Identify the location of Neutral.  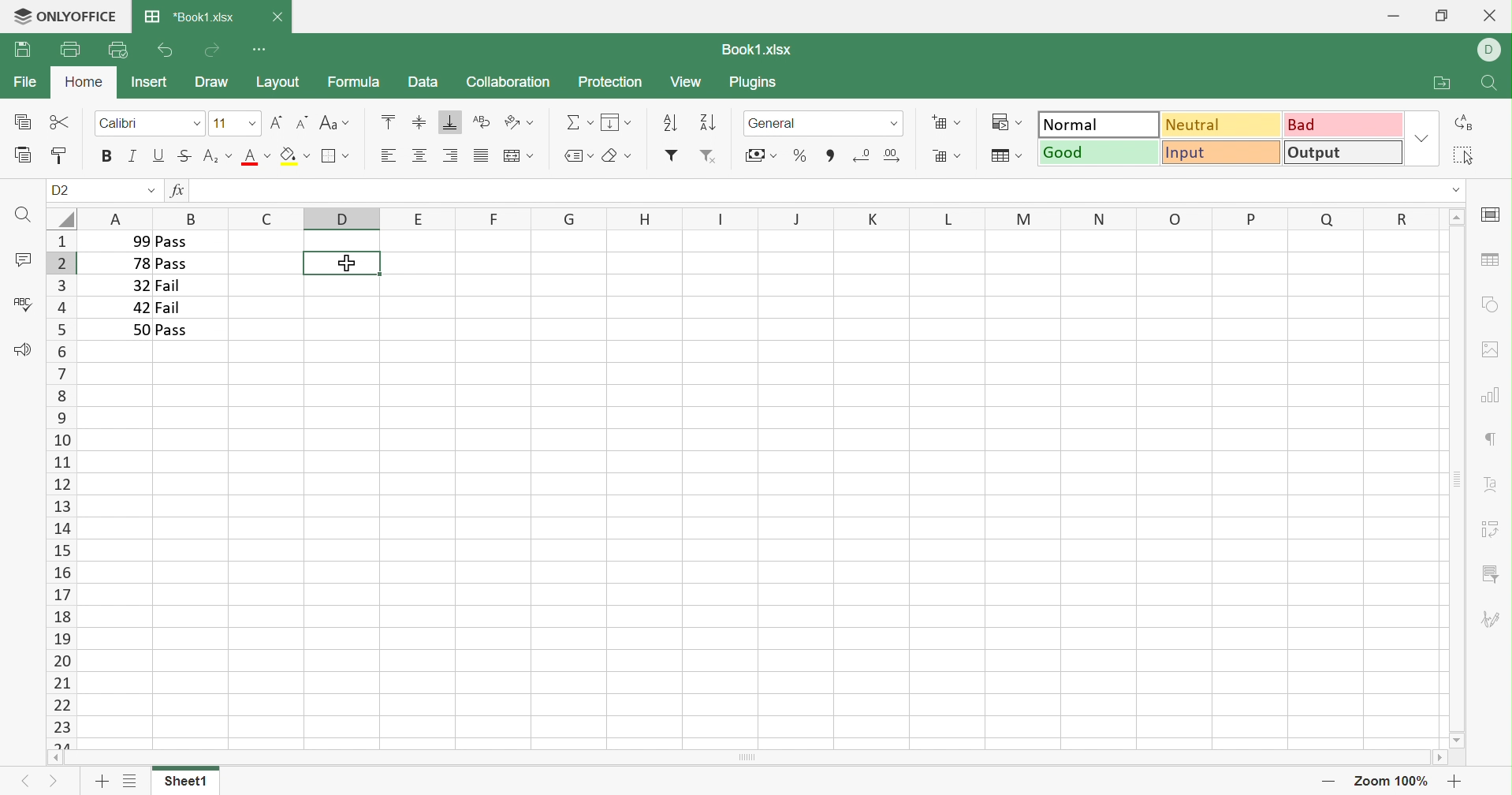
(1222, 123).